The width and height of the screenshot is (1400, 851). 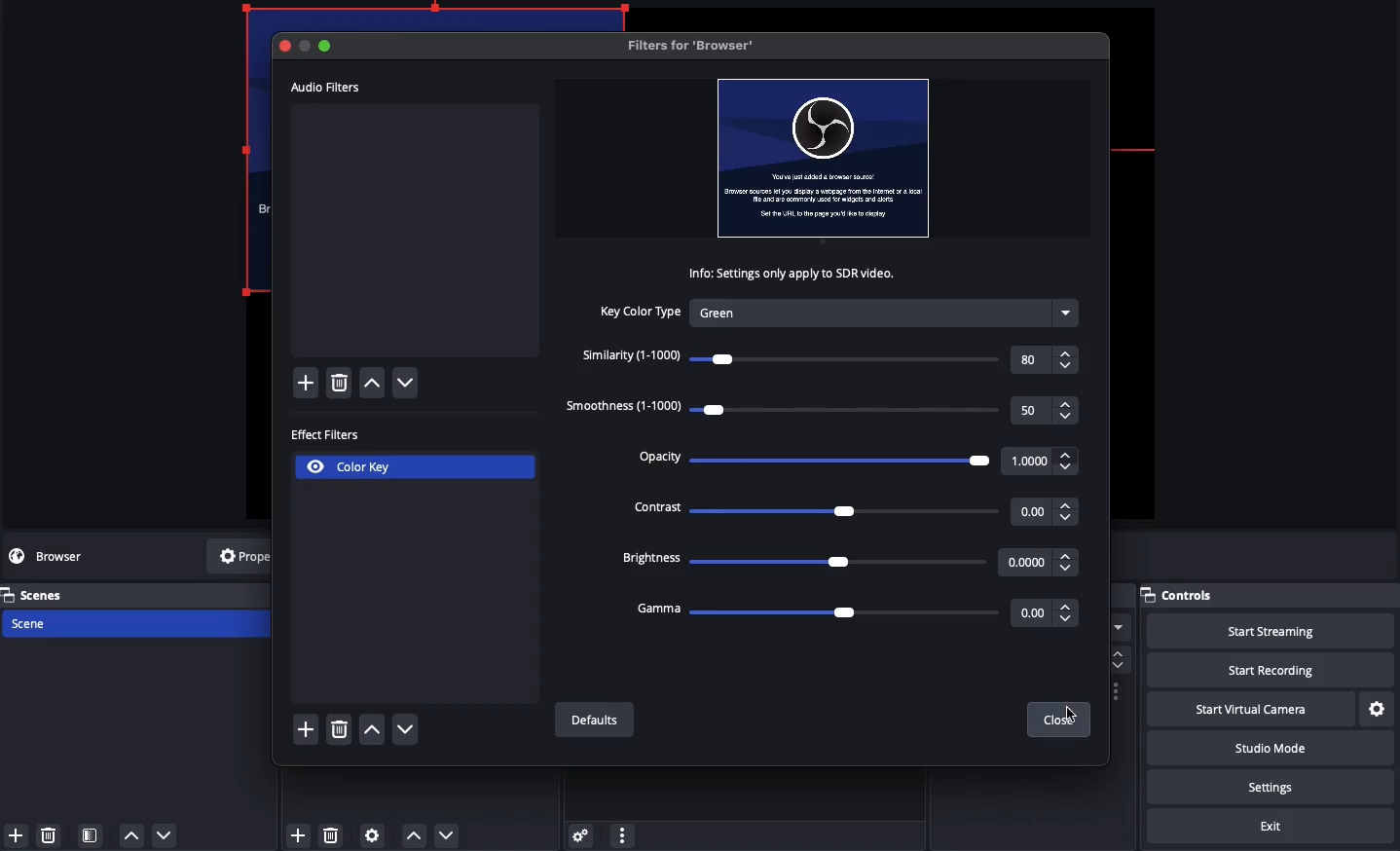 I want to click on Close, so click(x=287, y=45).